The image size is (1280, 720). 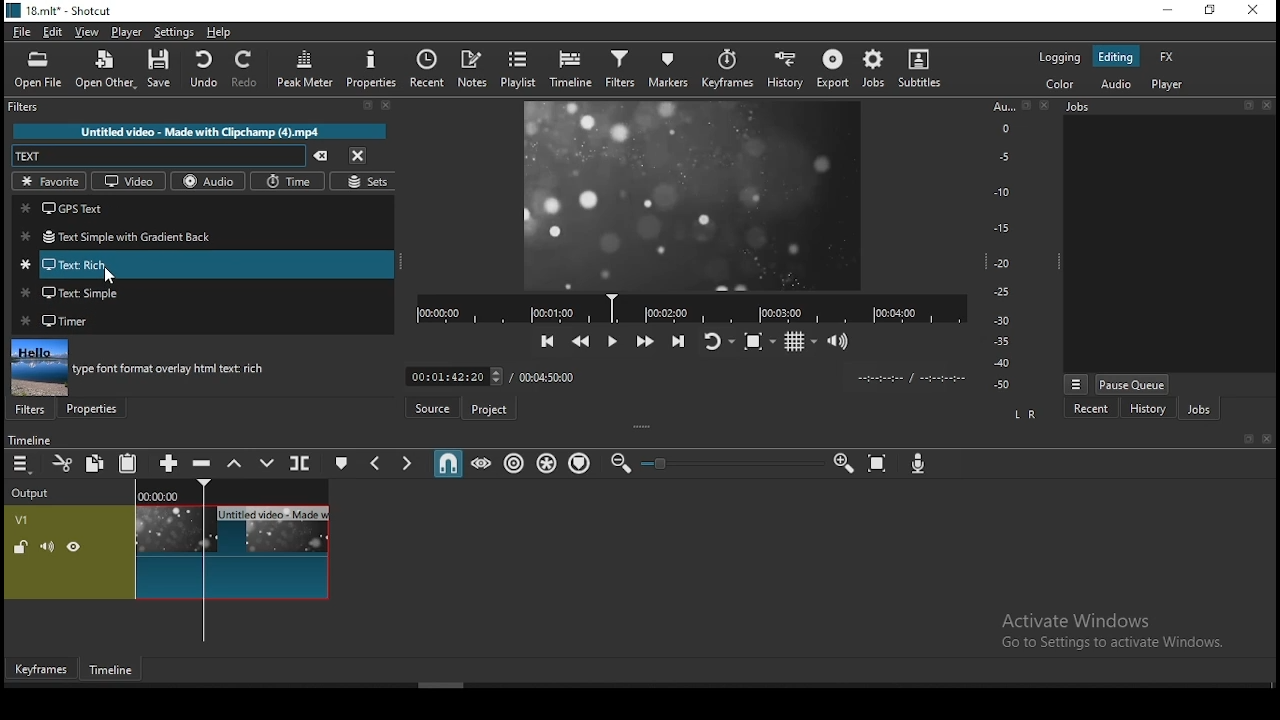 What do you see at coordinates (1168, 56) in the screenshot?
I see `fx` at bounding box center [1168, 56].